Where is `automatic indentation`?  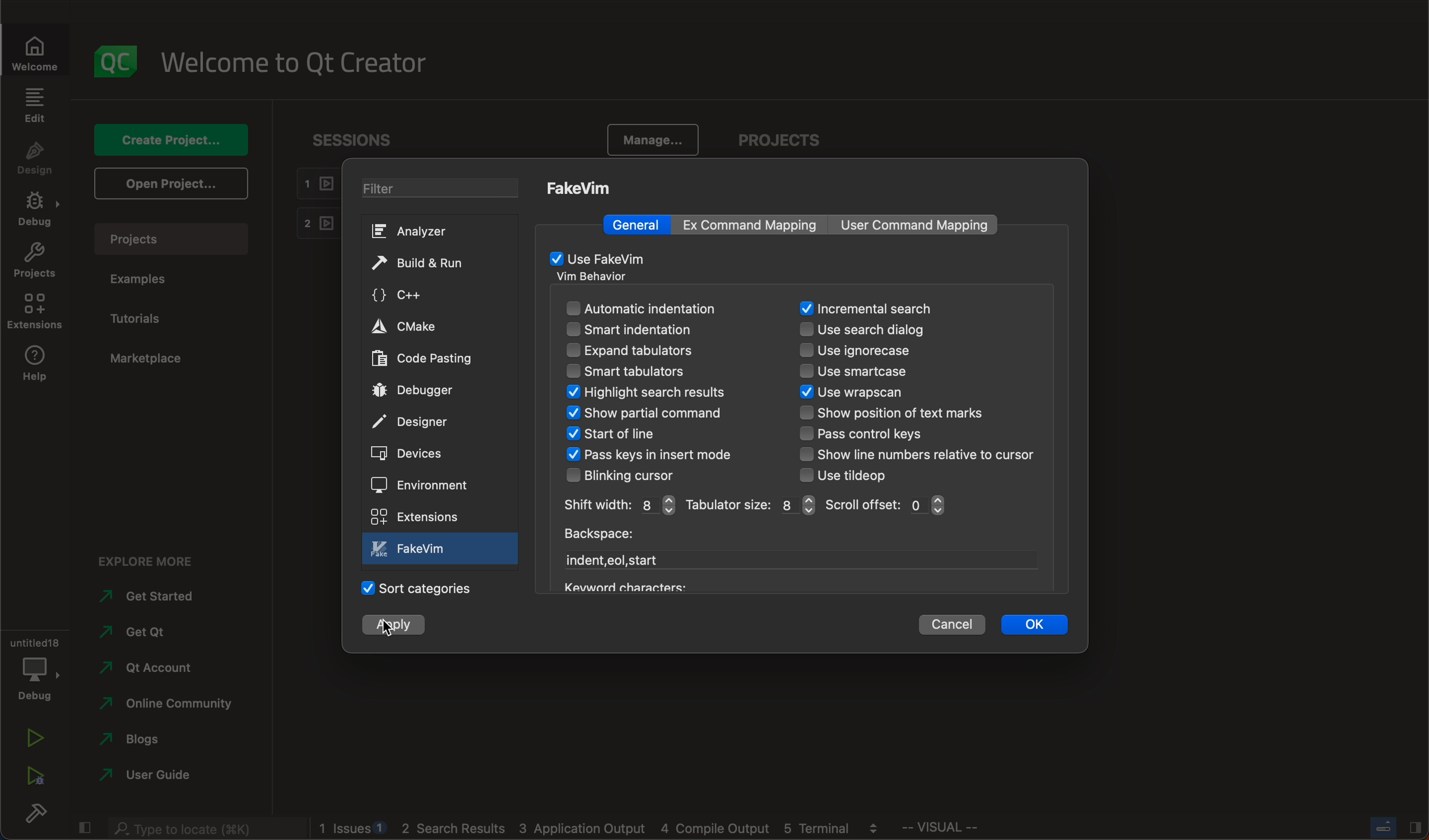 automatic indentation is located at coordinates (660, 309).